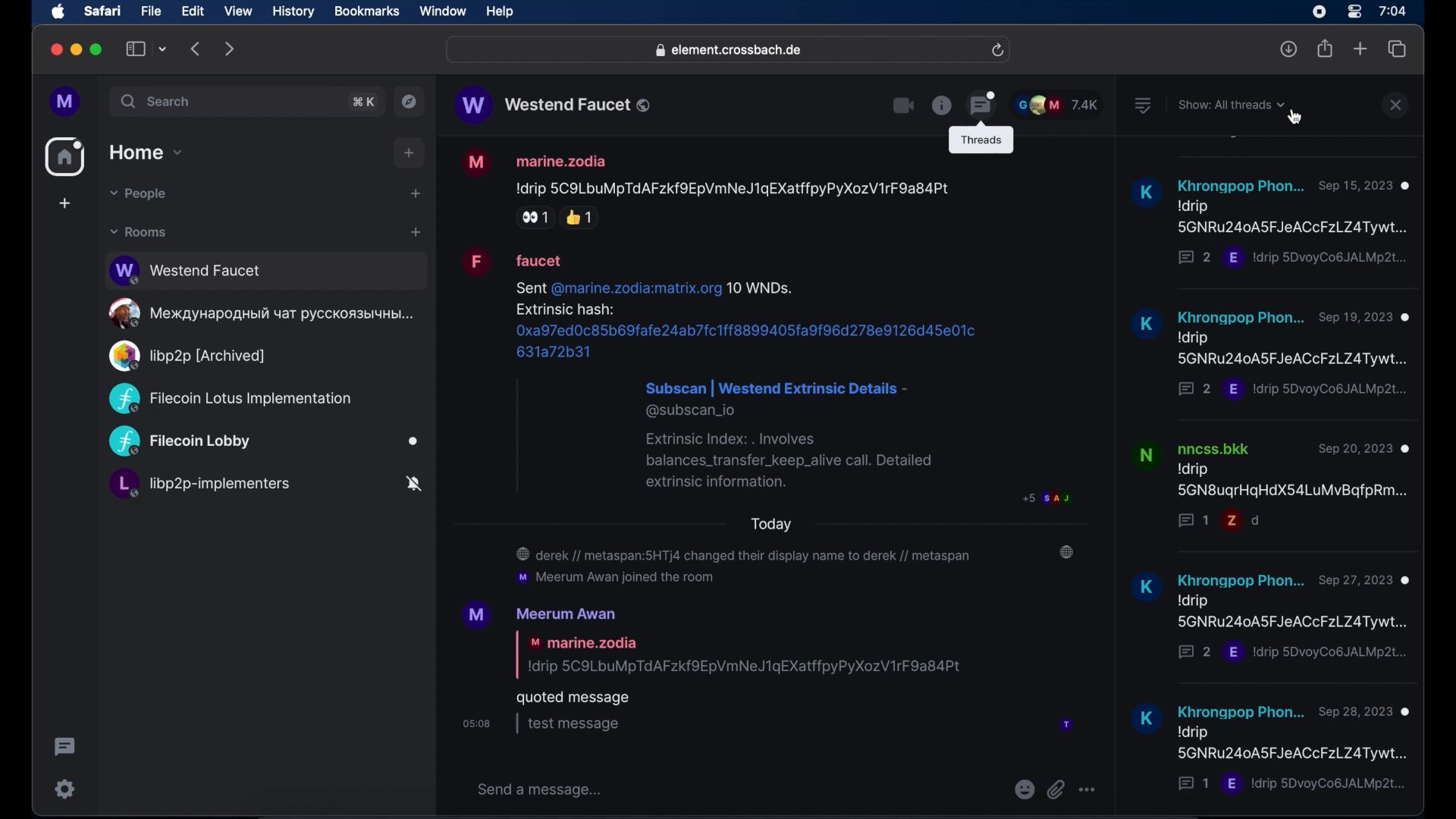 This screenshot has width=1456, height=819. Describe the element at coordinates (138, 194) in the screenshot. I see `people dropdown` at that location.